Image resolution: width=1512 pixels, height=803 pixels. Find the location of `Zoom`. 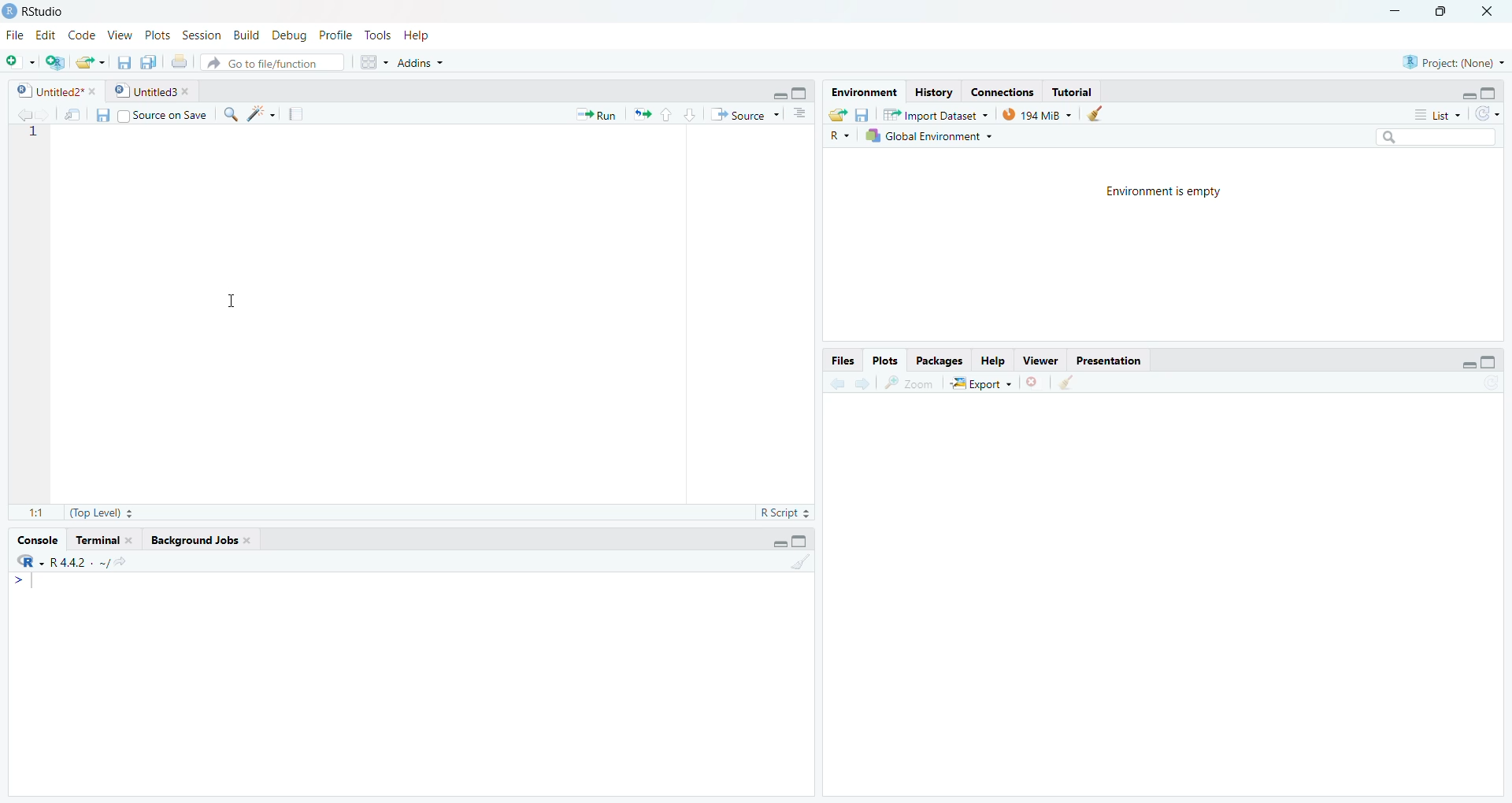

Zoom is located at coordinates (910, 383).